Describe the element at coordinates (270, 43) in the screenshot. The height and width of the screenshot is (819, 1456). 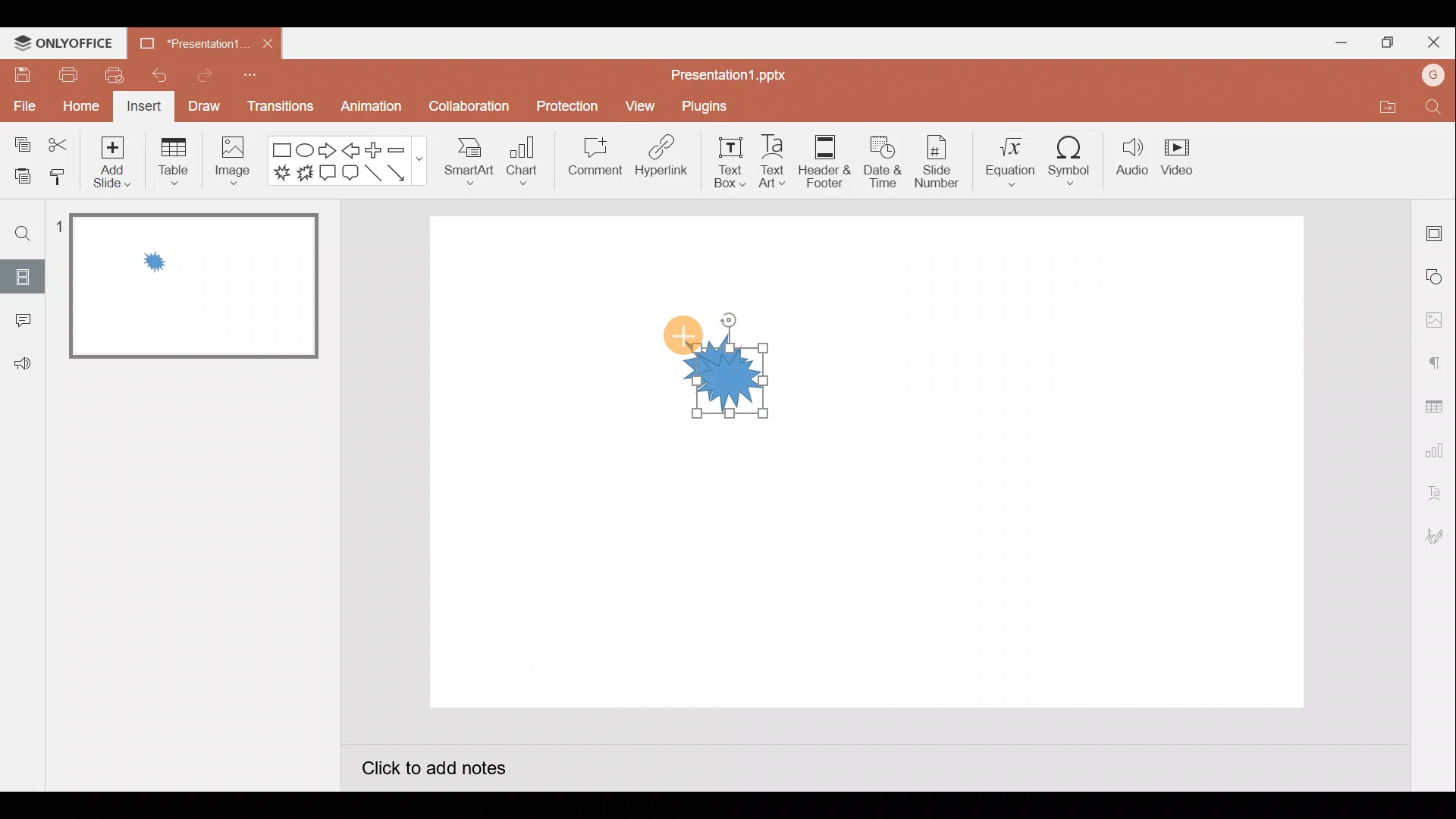
I see `Close` at that location.